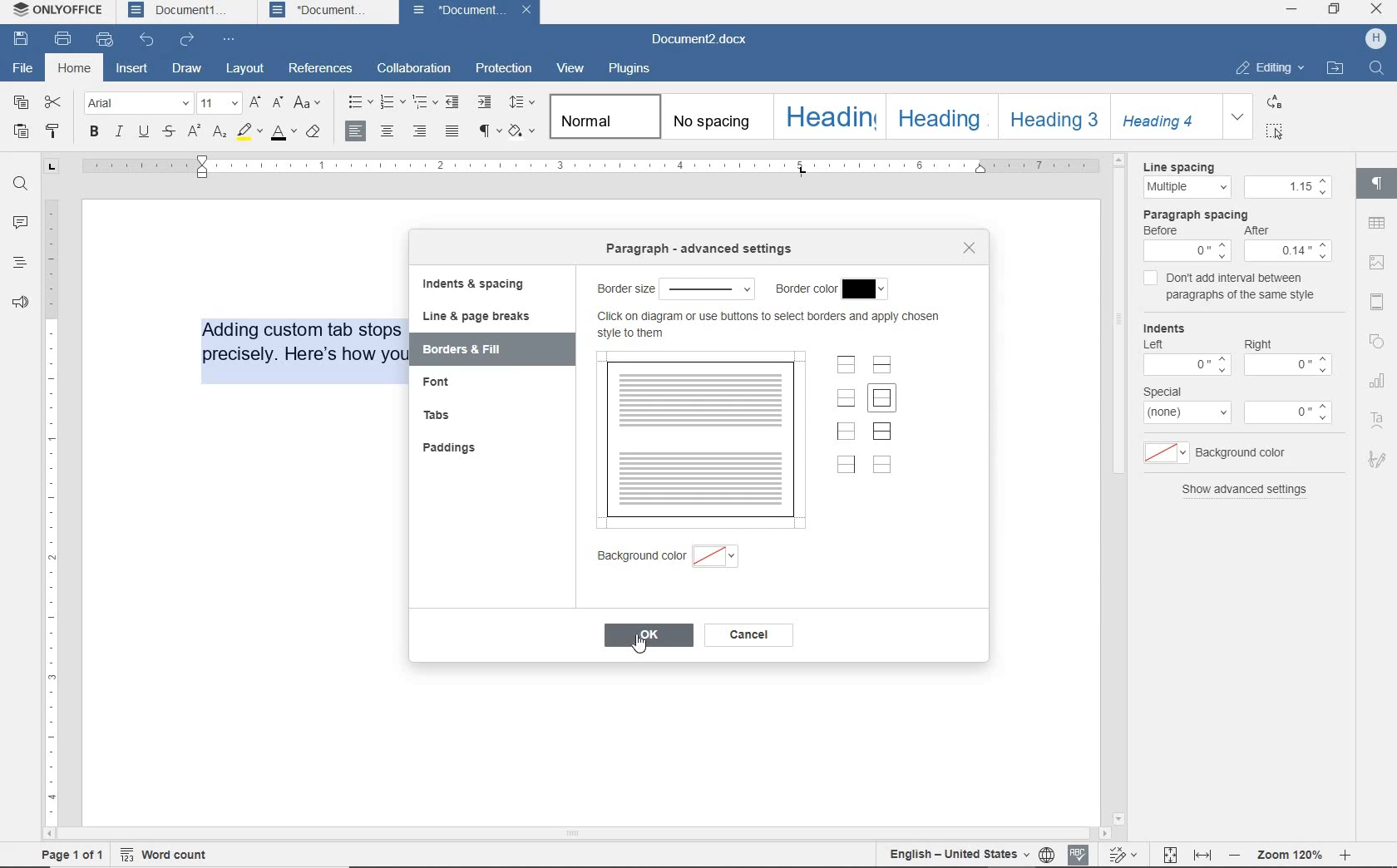 This screenshot has width=1397, height=868. What do you see at coordinates (1080, 853) in the screenshot?
I see `spelling check` at bounding box center [1080, 853].